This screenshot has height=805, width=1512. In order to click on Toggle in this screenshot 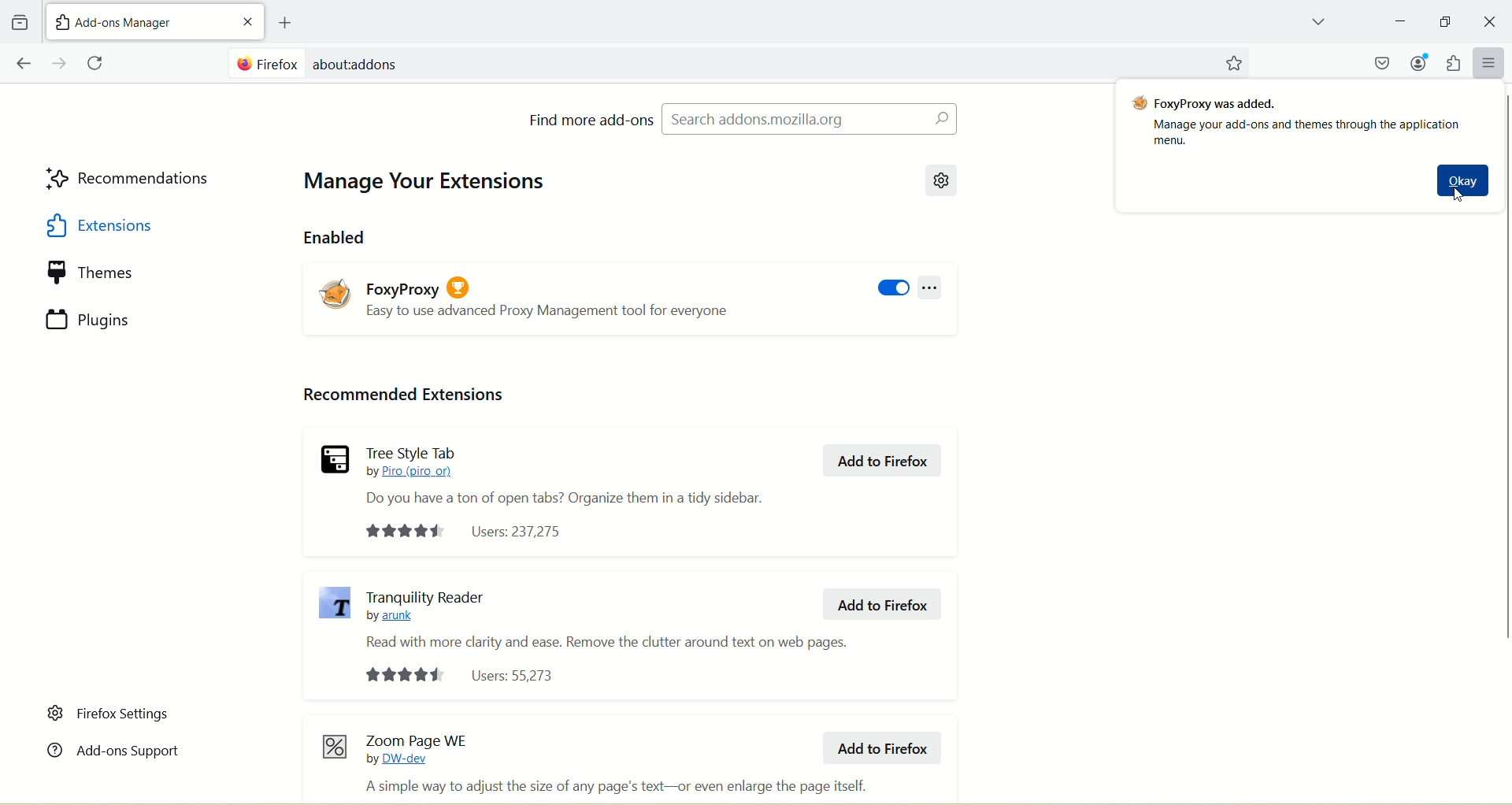, I will do `click(892, 289)`.